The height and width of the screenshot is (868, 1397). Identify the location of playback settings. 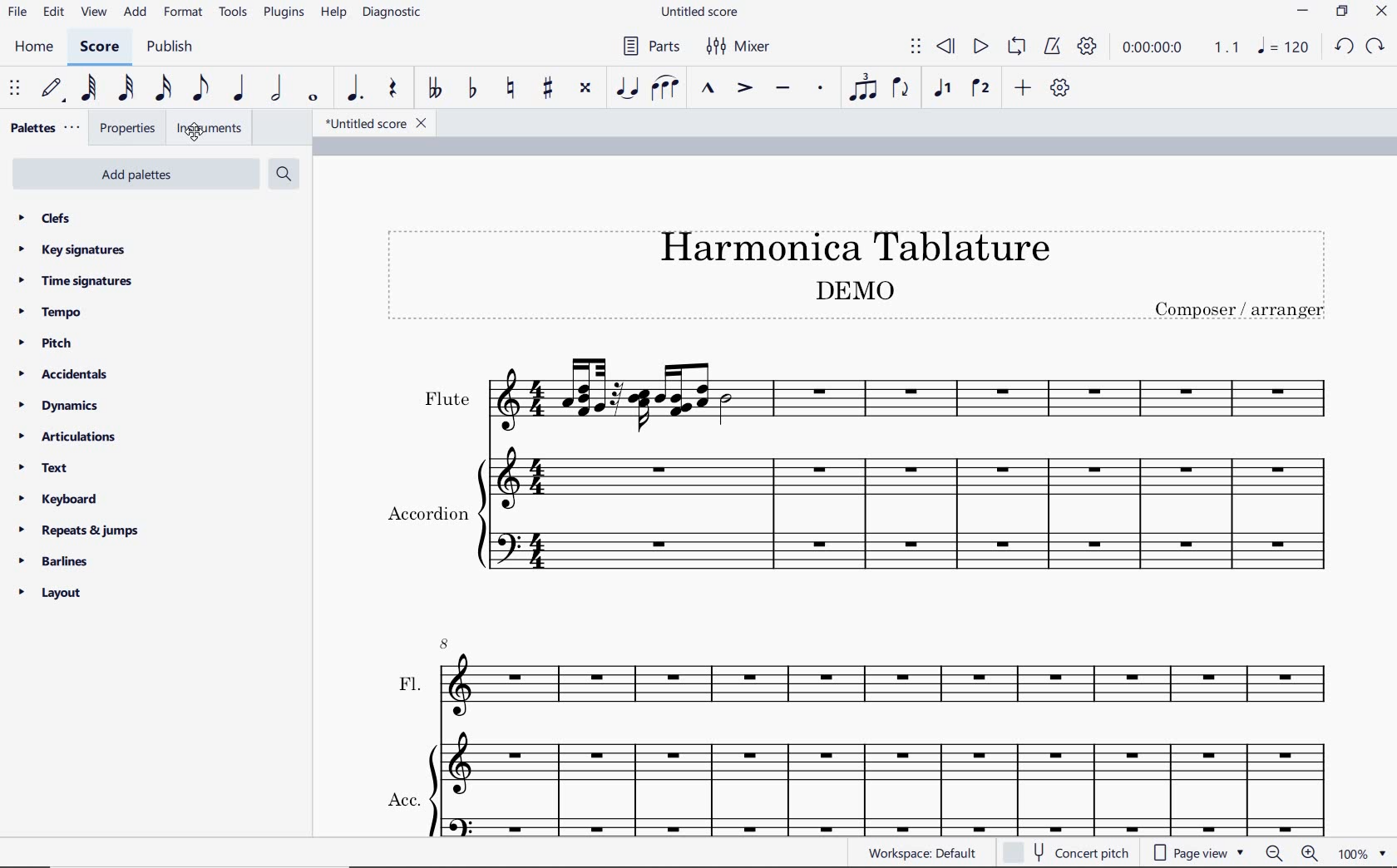
(1086, 47).